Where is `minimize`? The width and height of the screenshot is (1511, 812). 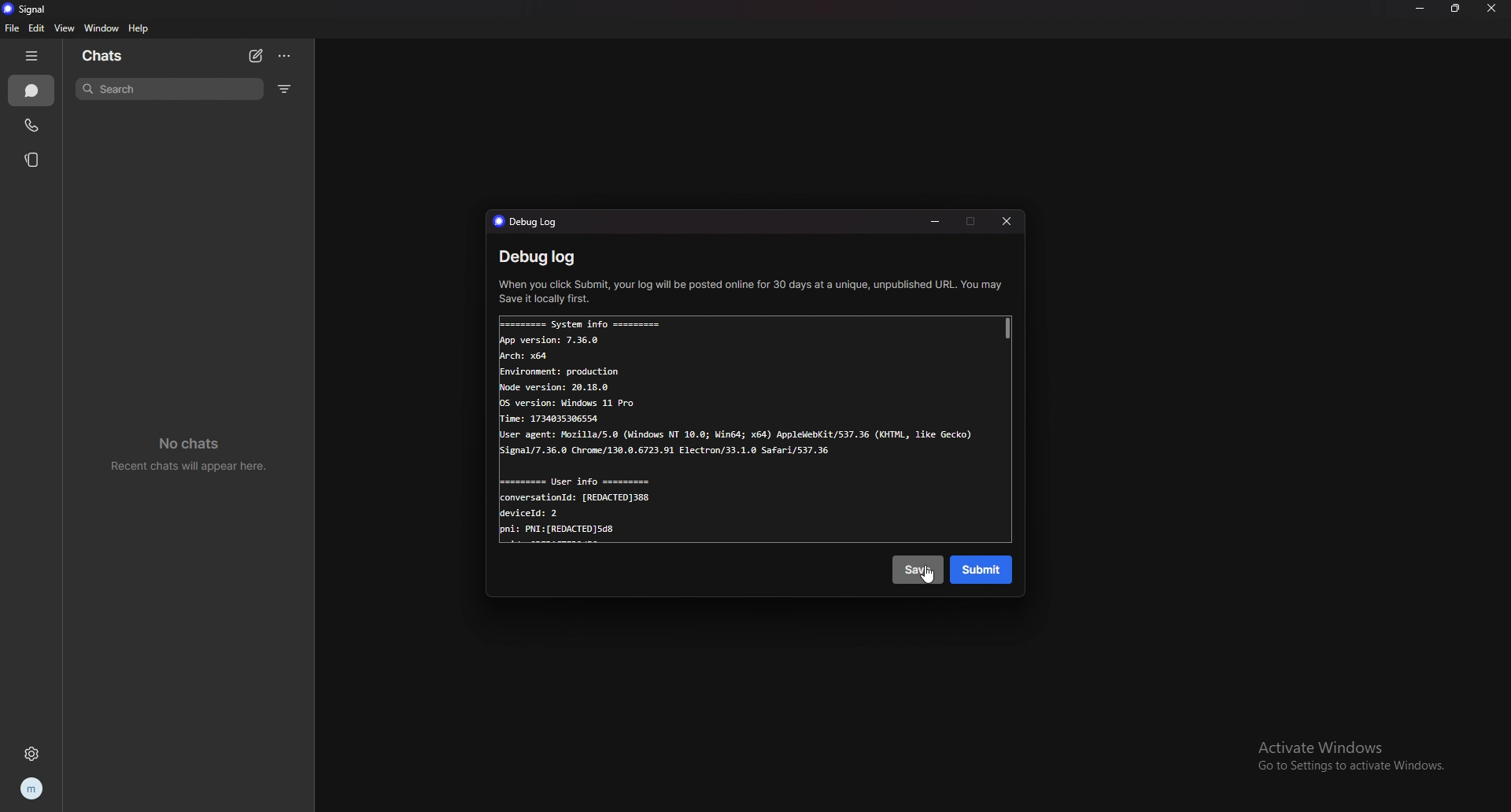
minimize is located at coordinates (934, 223).